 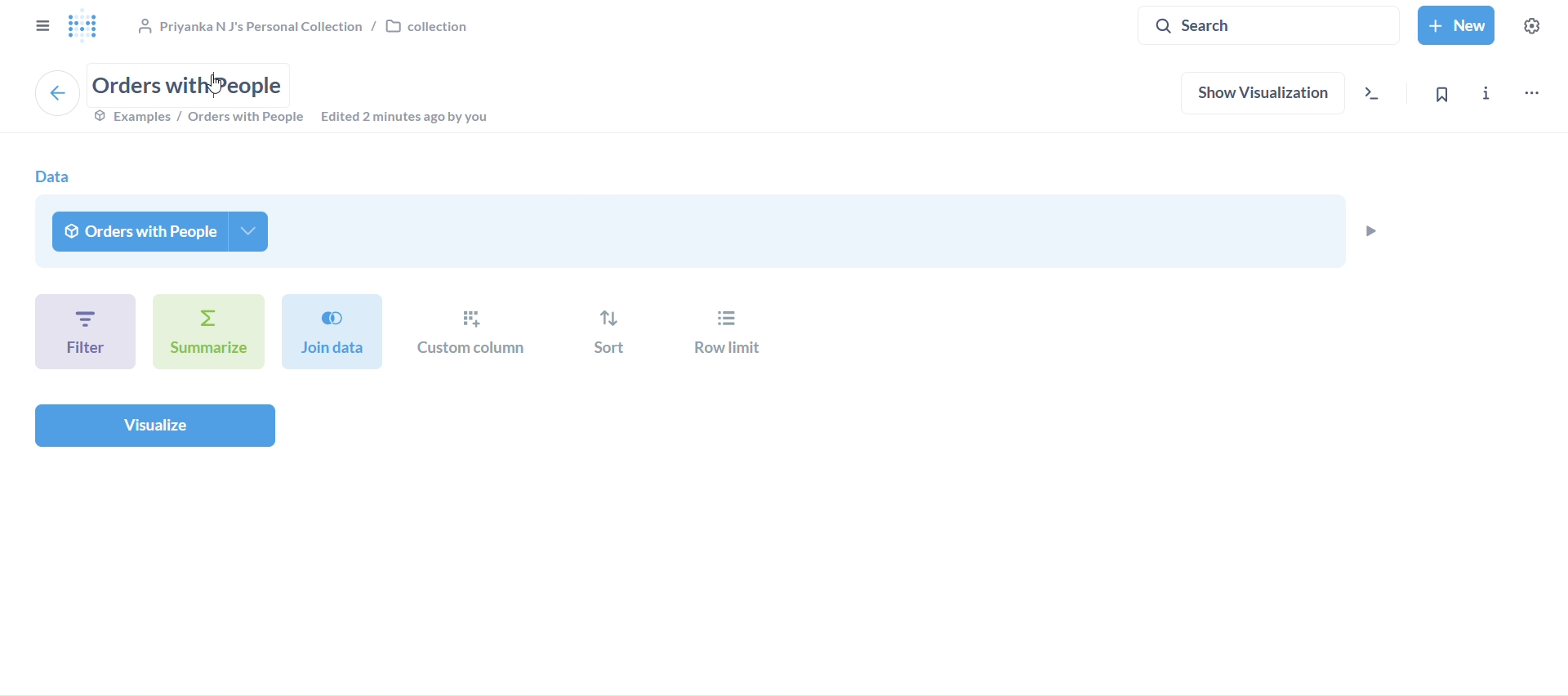 I want to click on show visualization, so click(x=1264, y=95).